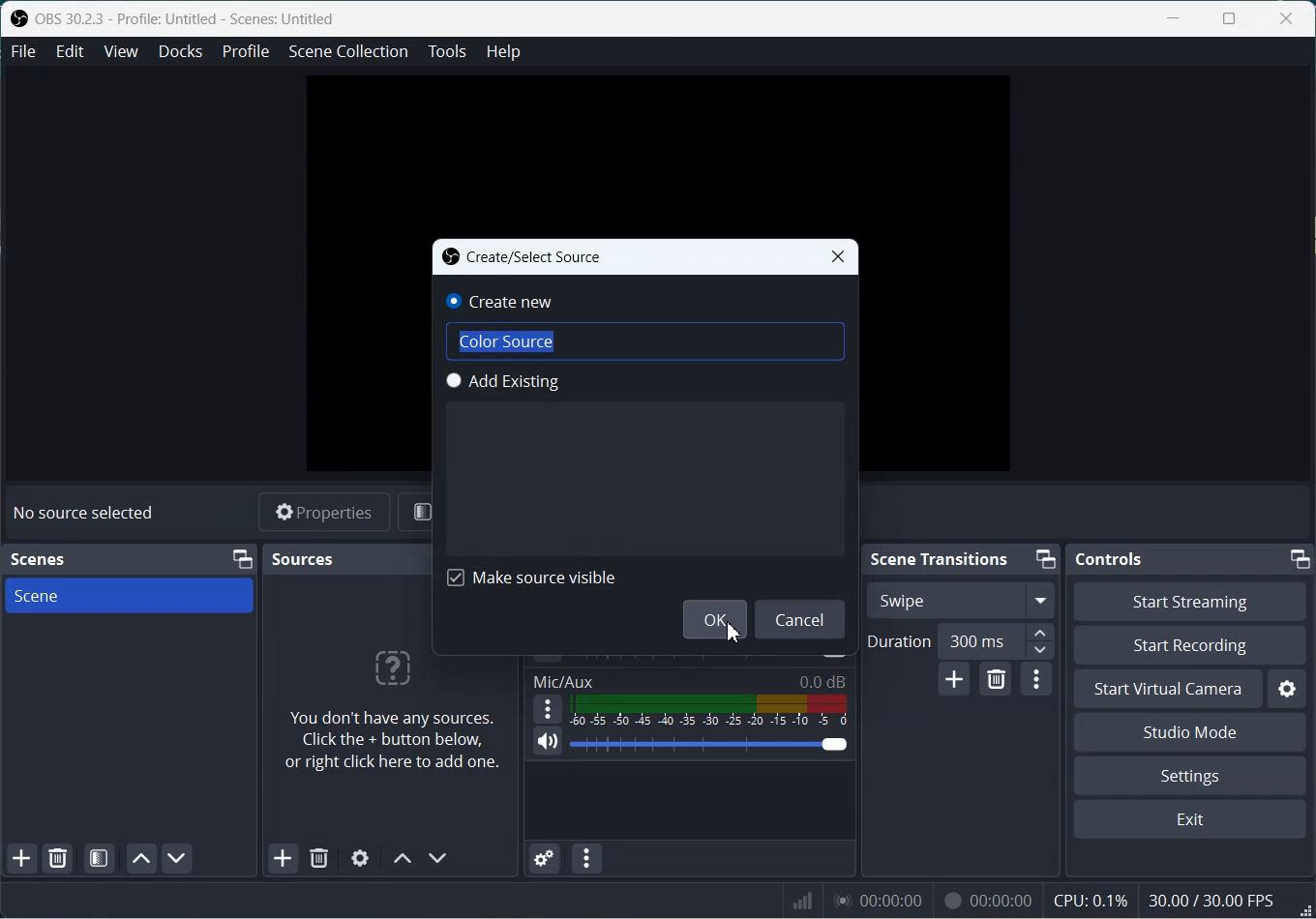  I want to click on Start Recording, so click(1189, 645).